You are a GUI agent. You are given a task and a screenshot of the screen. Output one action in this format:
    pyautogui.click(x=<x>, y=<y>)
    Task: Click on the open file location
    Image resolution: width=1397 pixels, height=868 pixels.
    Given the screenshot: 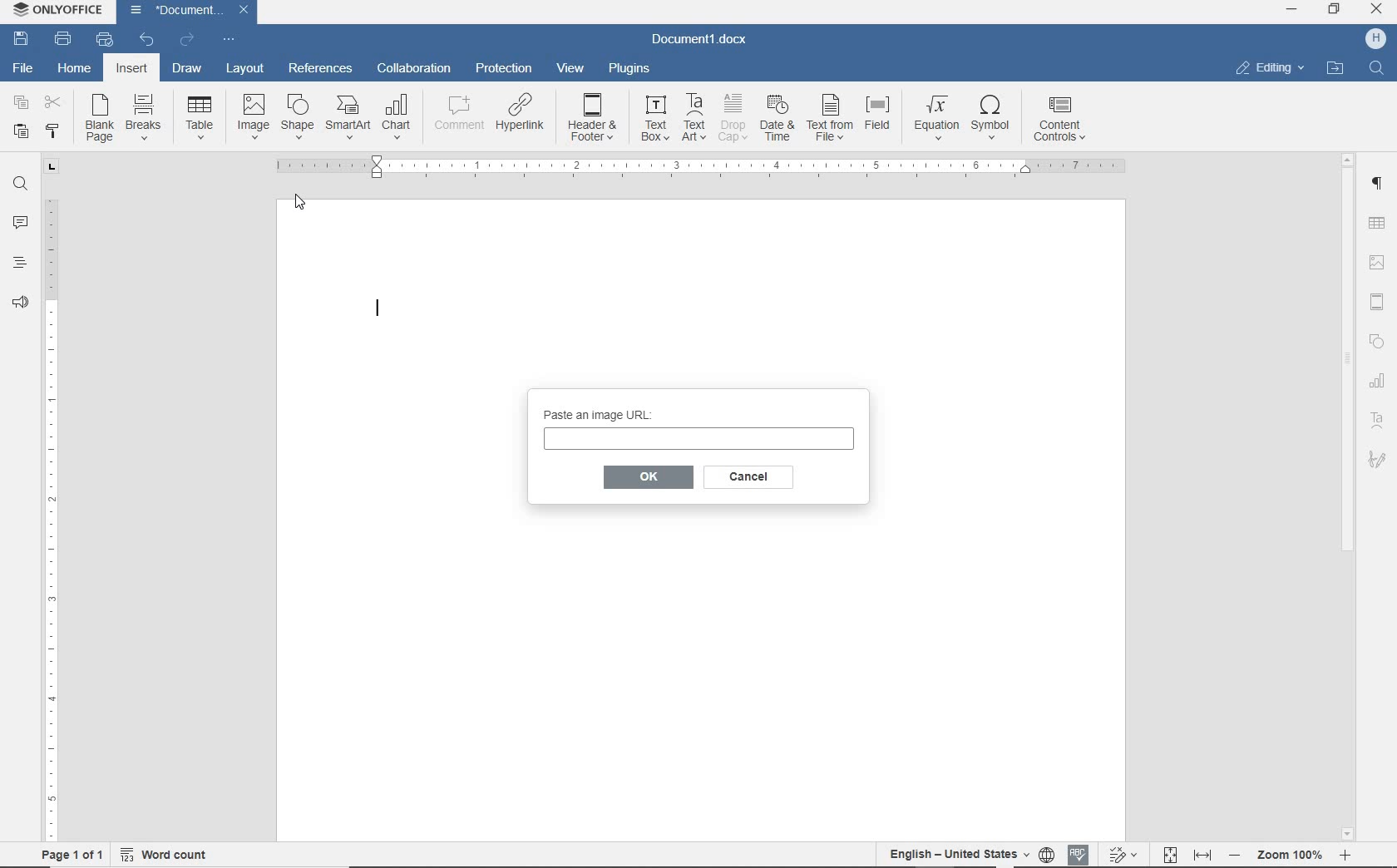 What is the action you would take?
    pyautogui.click(x=1338, y=70)
    